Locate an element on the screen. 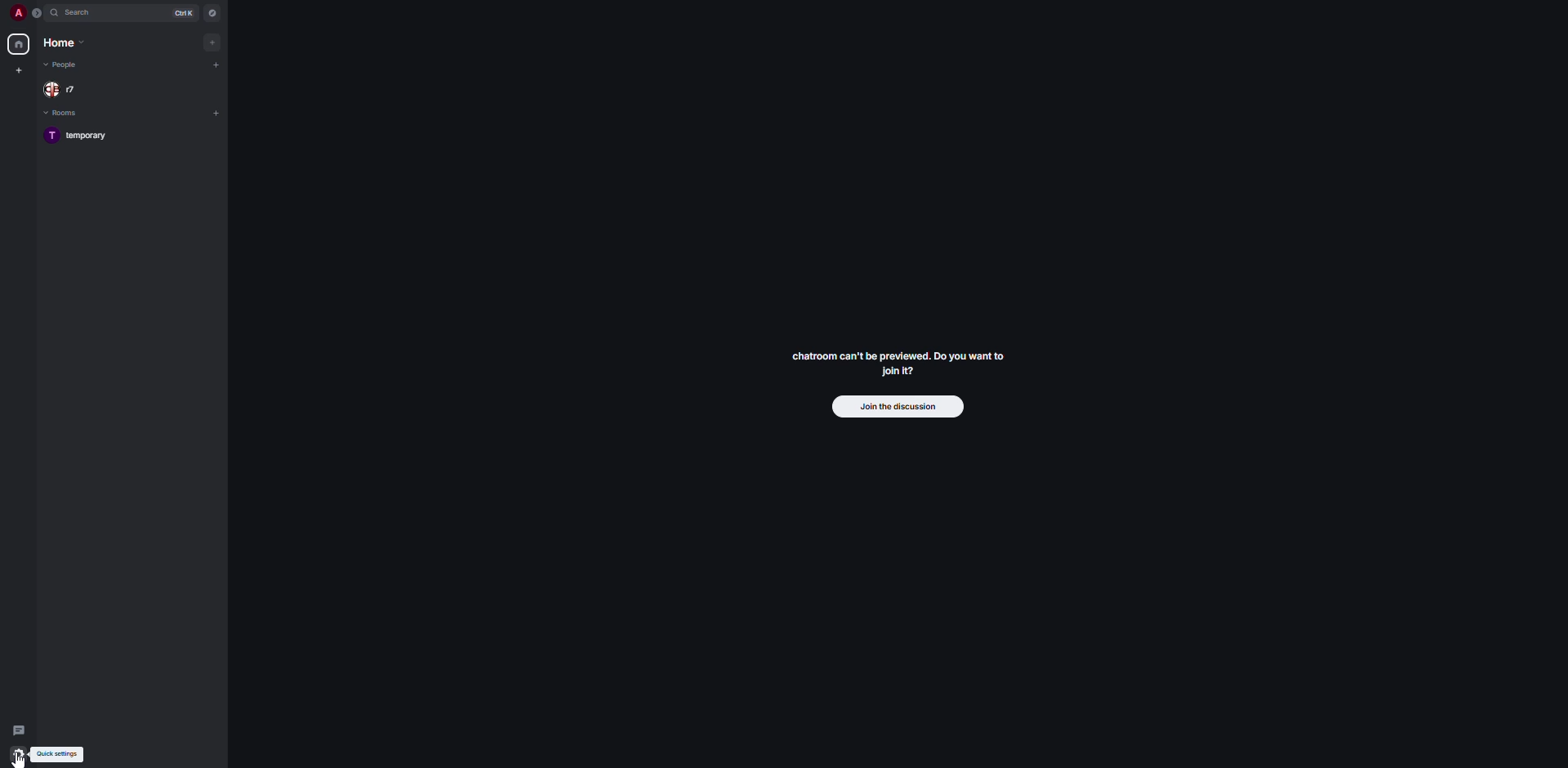 The height and width of the screenshot is (768, 1568). create space is located at coordinates (21, 70).